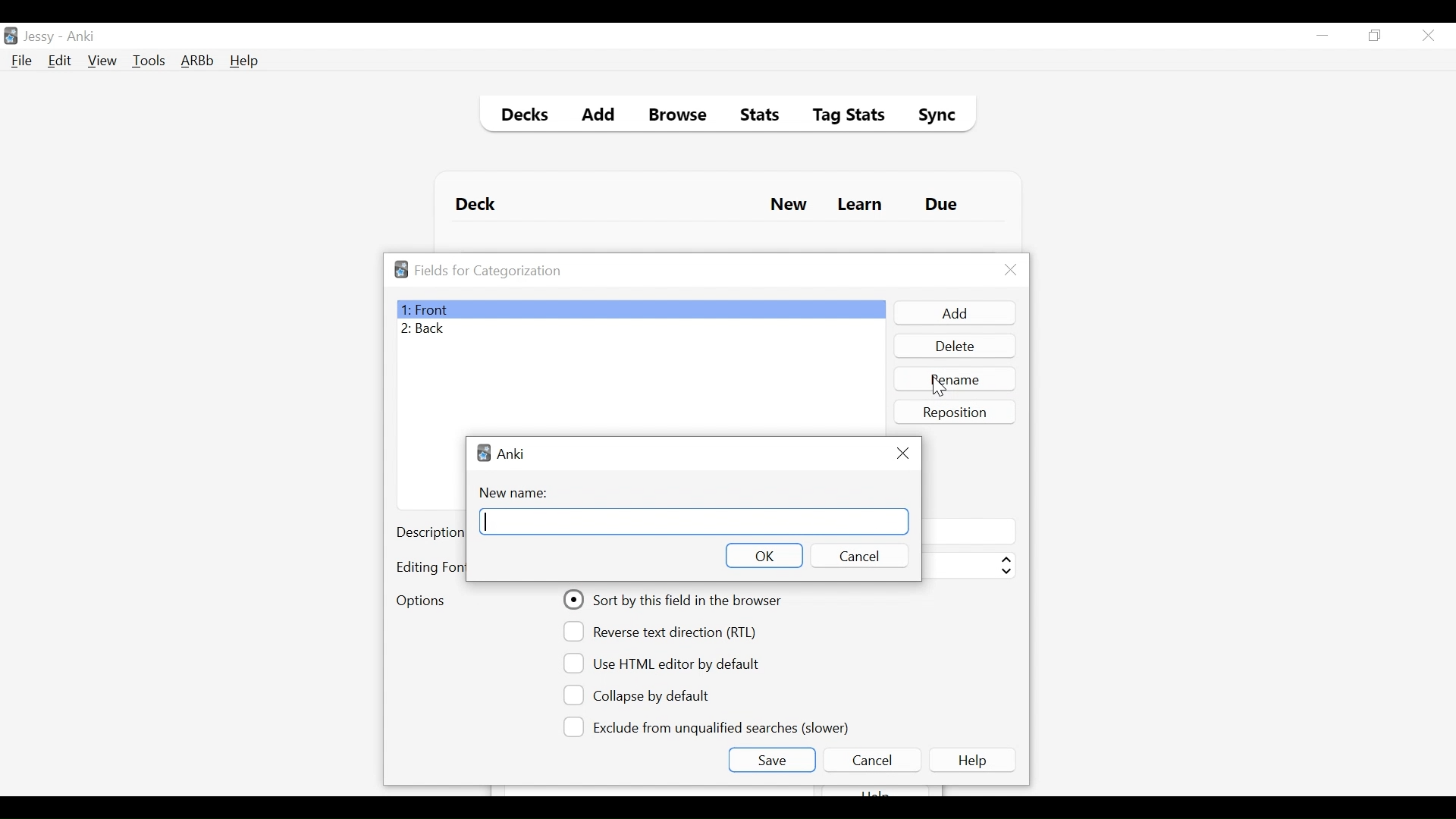 The height and width of the screenshot is (819, 1456). I want to click on Tag Stats, so click(840, 117).